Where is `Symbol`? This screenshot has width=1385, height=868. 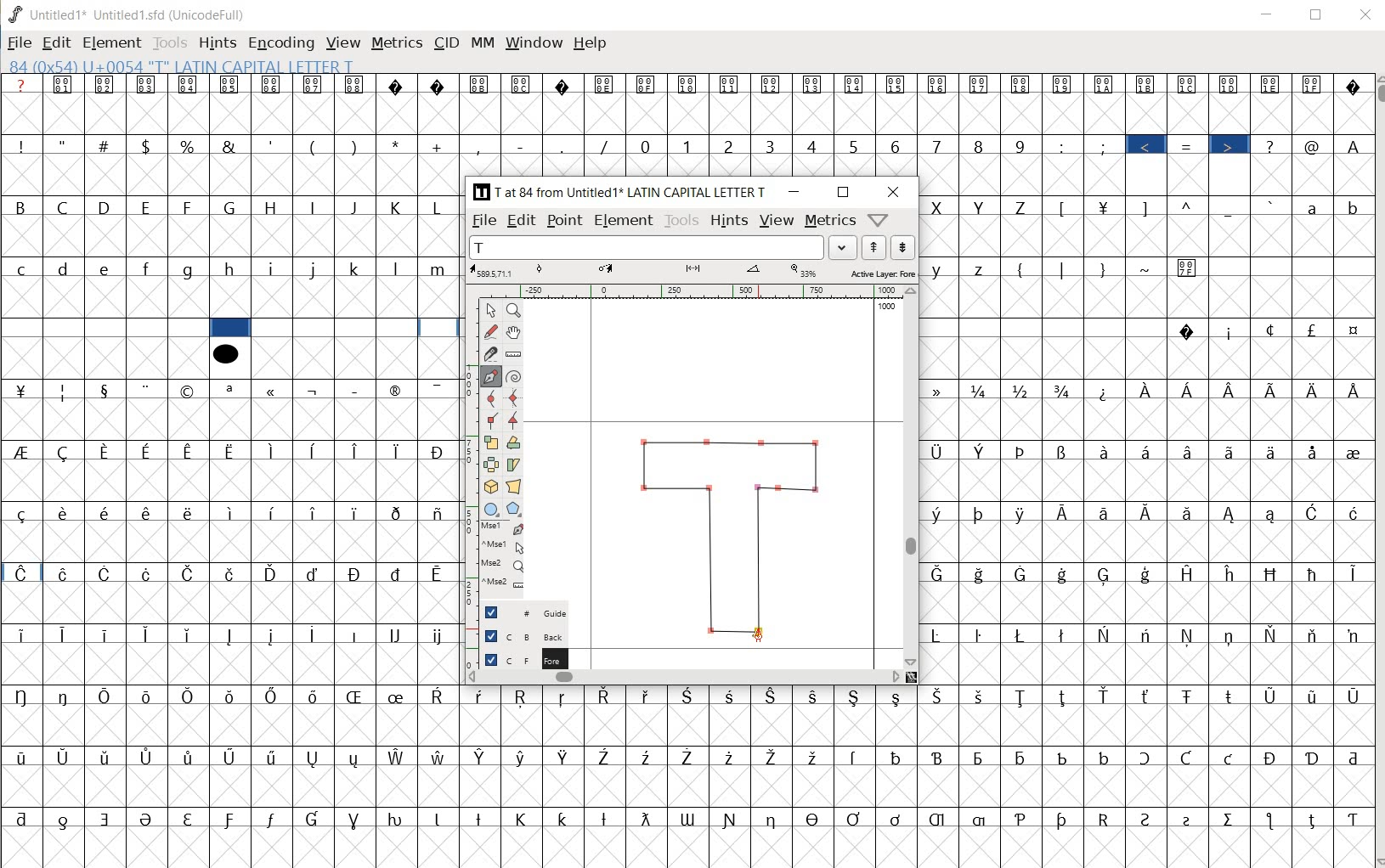 Symbol is located at coordinates (1150, 391).